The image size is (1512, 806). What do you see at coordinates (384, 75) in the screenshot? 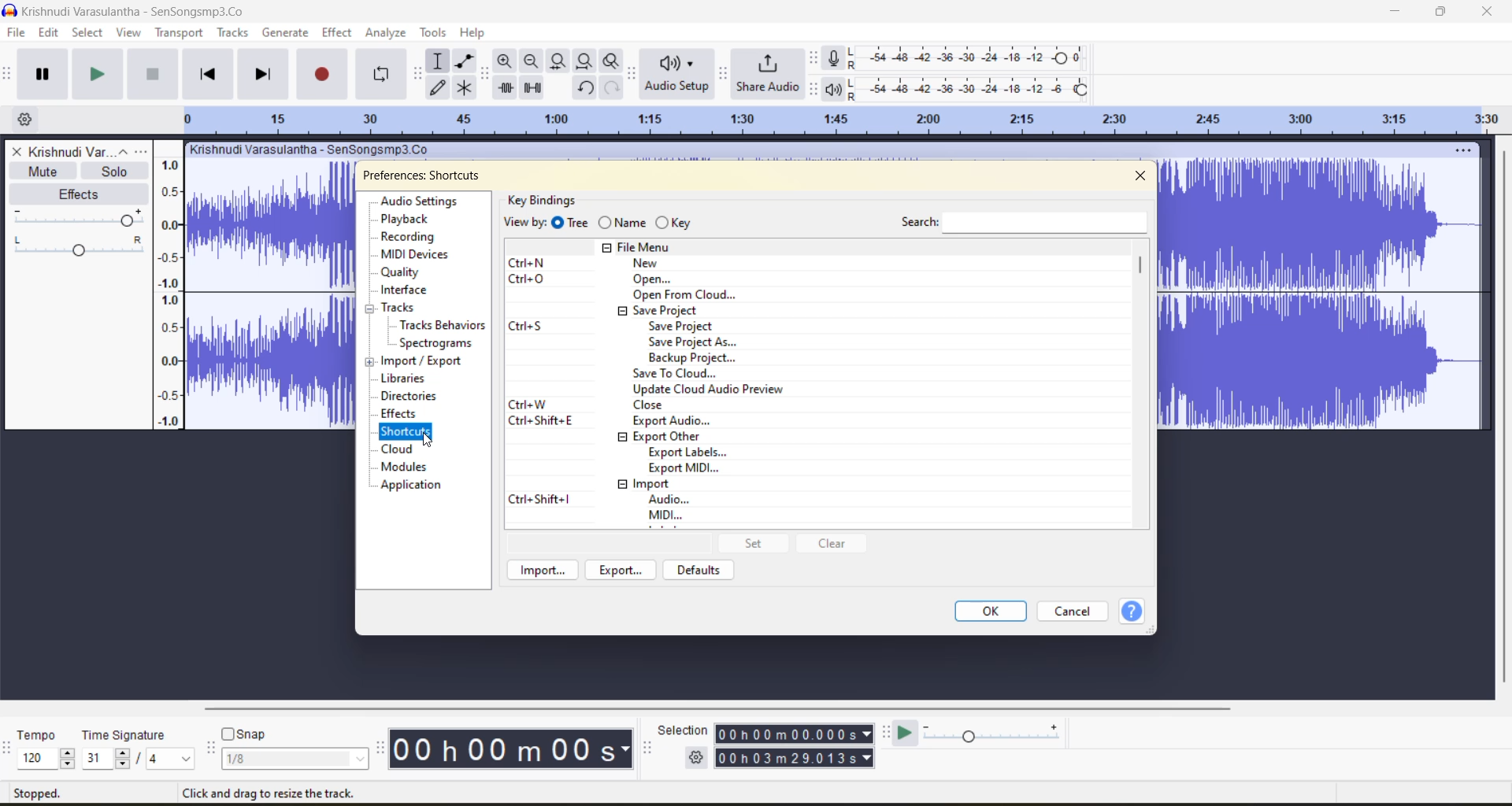
I see `enable looping` at bounding box center [384, 75].